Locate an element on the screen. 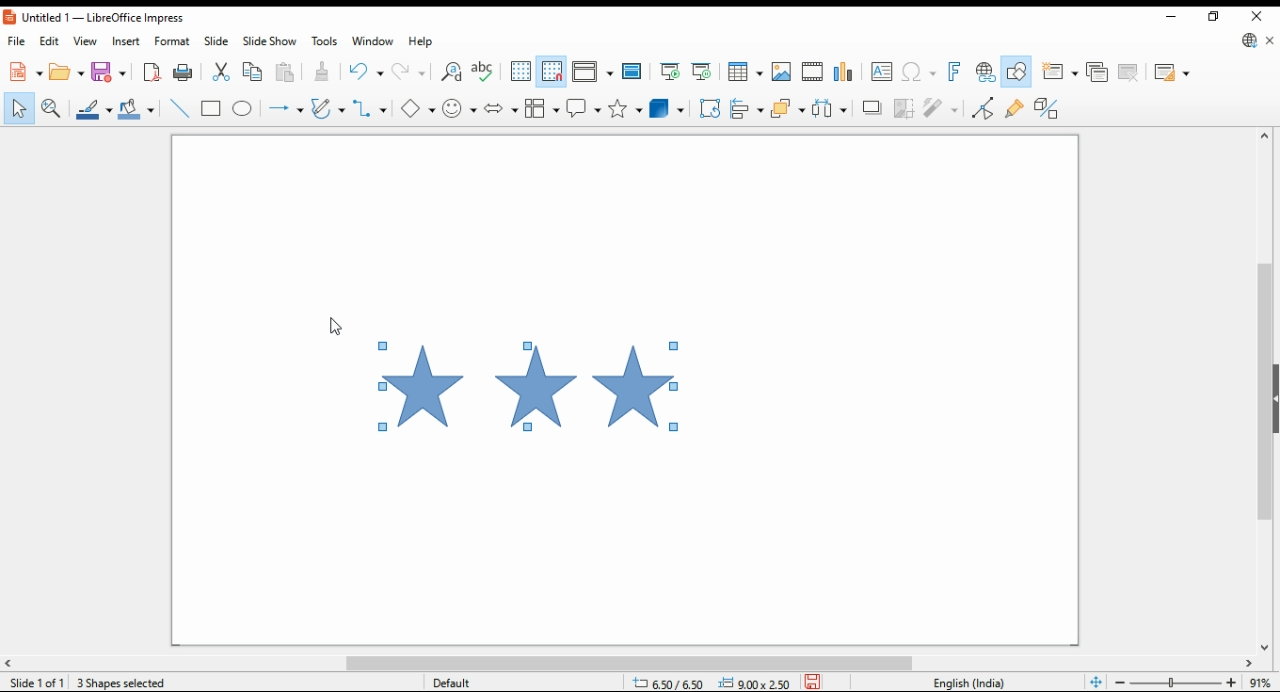 The width and height of the screenshot is (1280, 692). select is located at coordinates (20, 108).